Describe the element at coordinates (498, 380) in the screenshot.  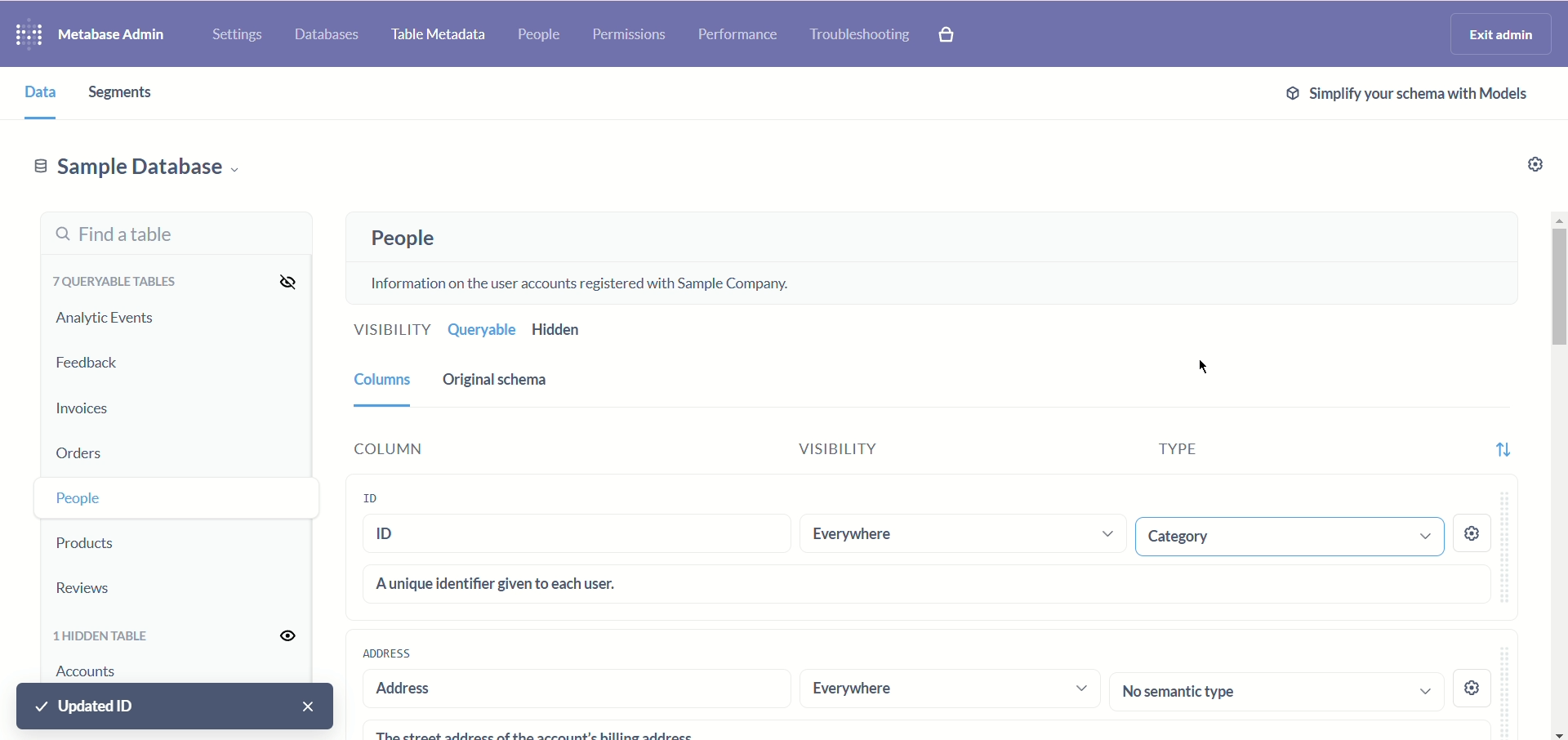
I see `Original schema` at that location.